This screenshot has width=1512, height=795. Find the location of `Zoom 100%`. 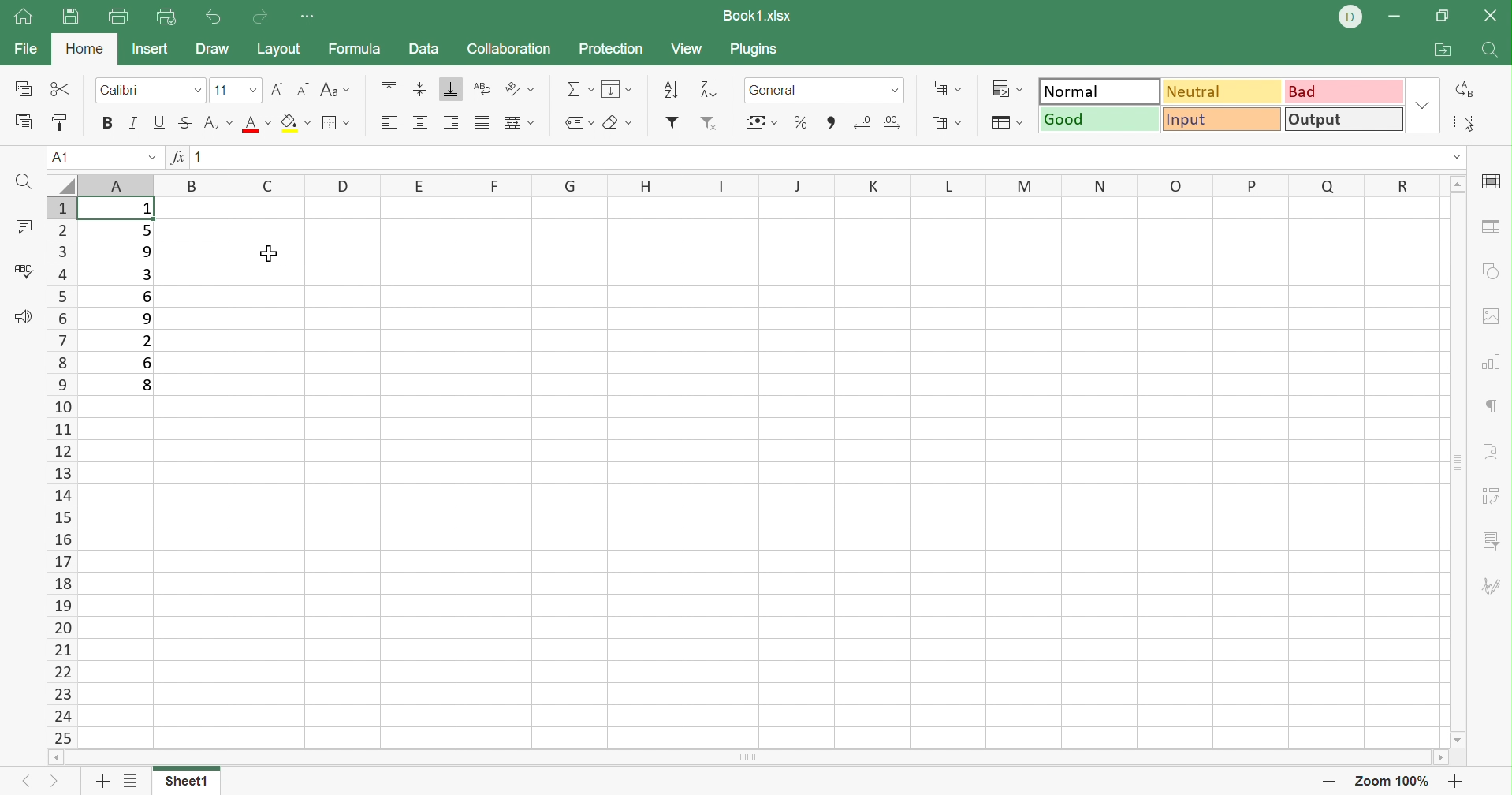

Zoom 100% is located at coordinates (1390, 780).